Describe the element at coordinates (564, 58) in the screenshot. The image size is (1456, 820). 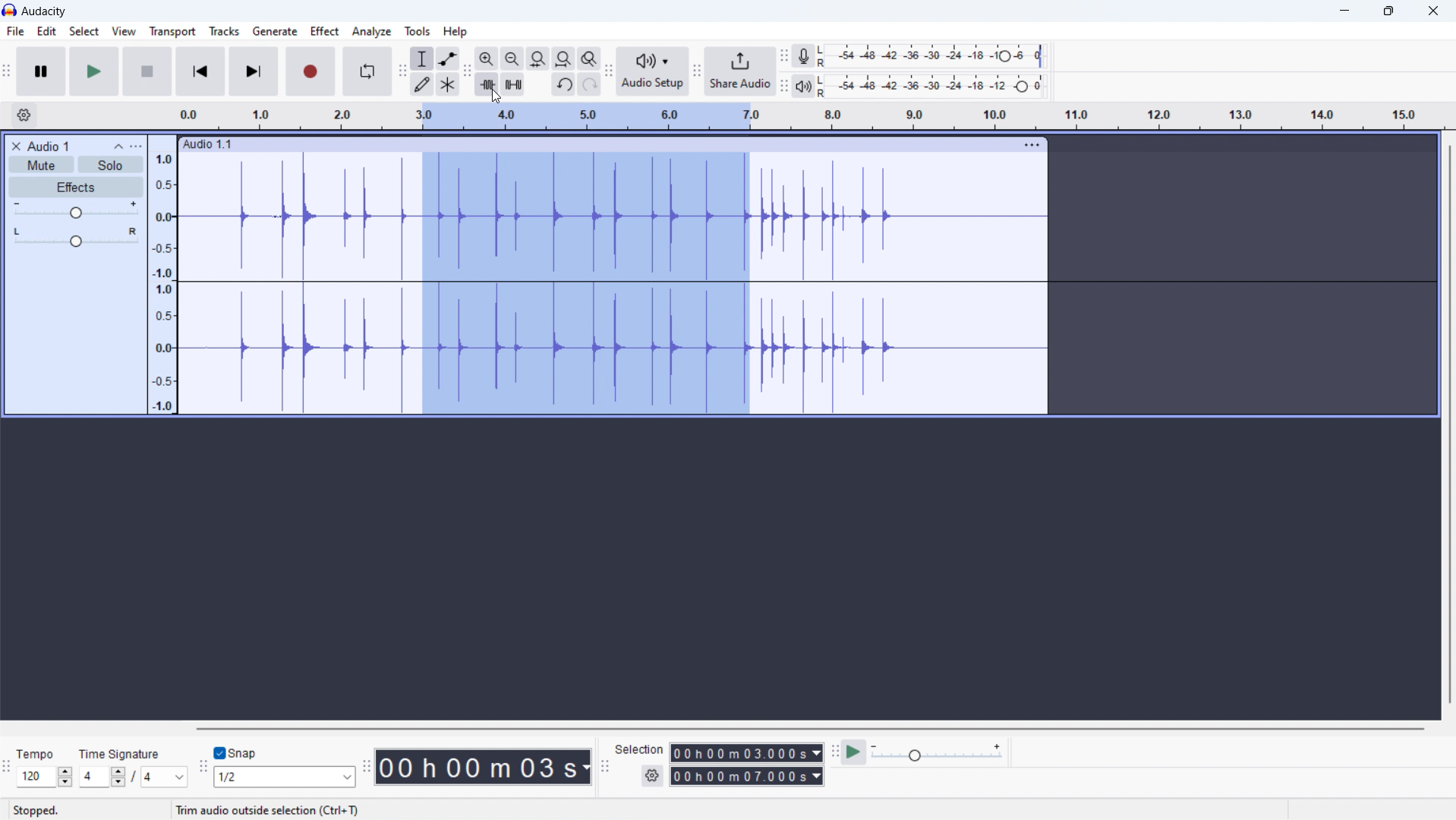
I see `fit project to width` at that location.